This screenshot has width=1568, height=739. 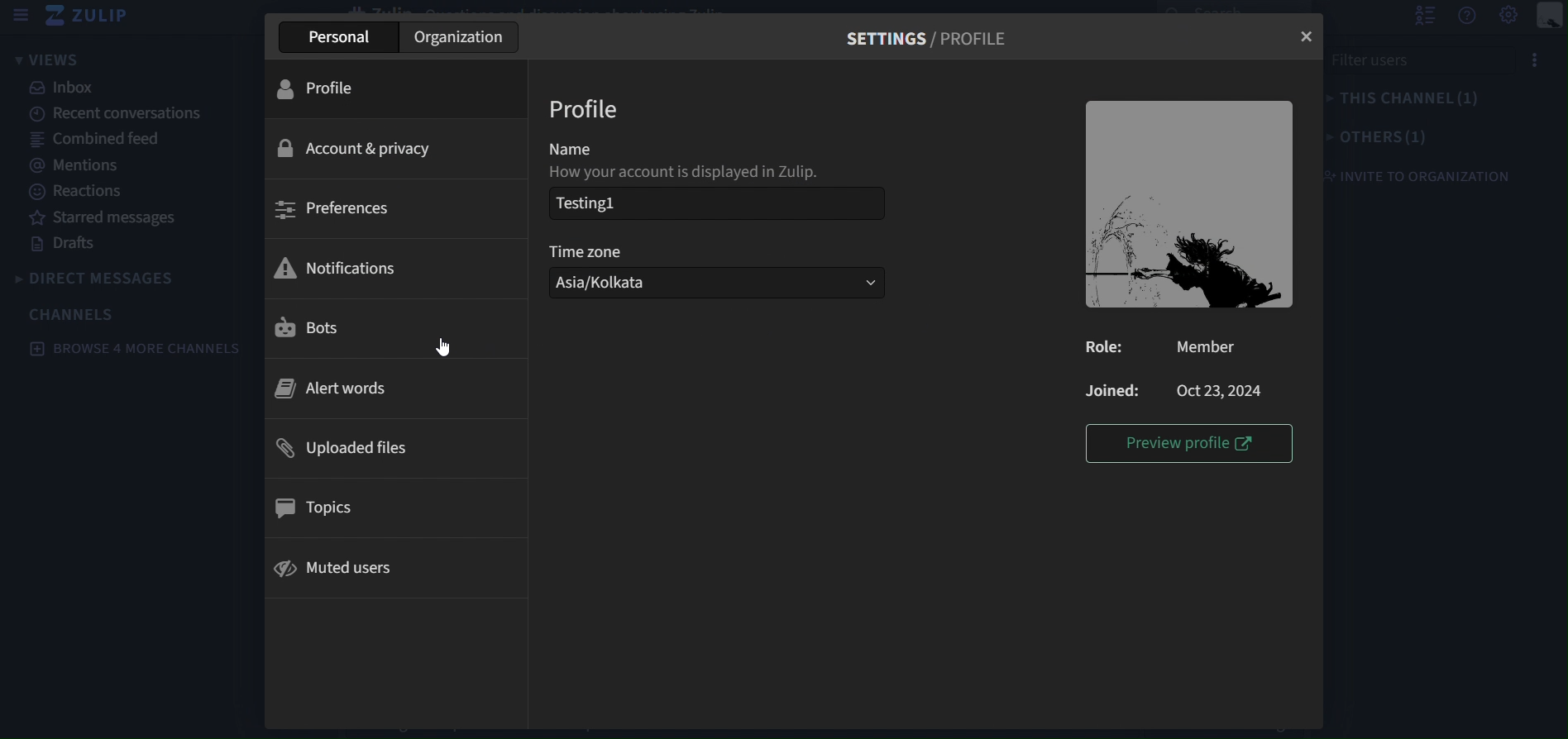 What do you see at coordinates (123, 88) in the screenshot?
I see `inbox` at bounding box center [123, 88].